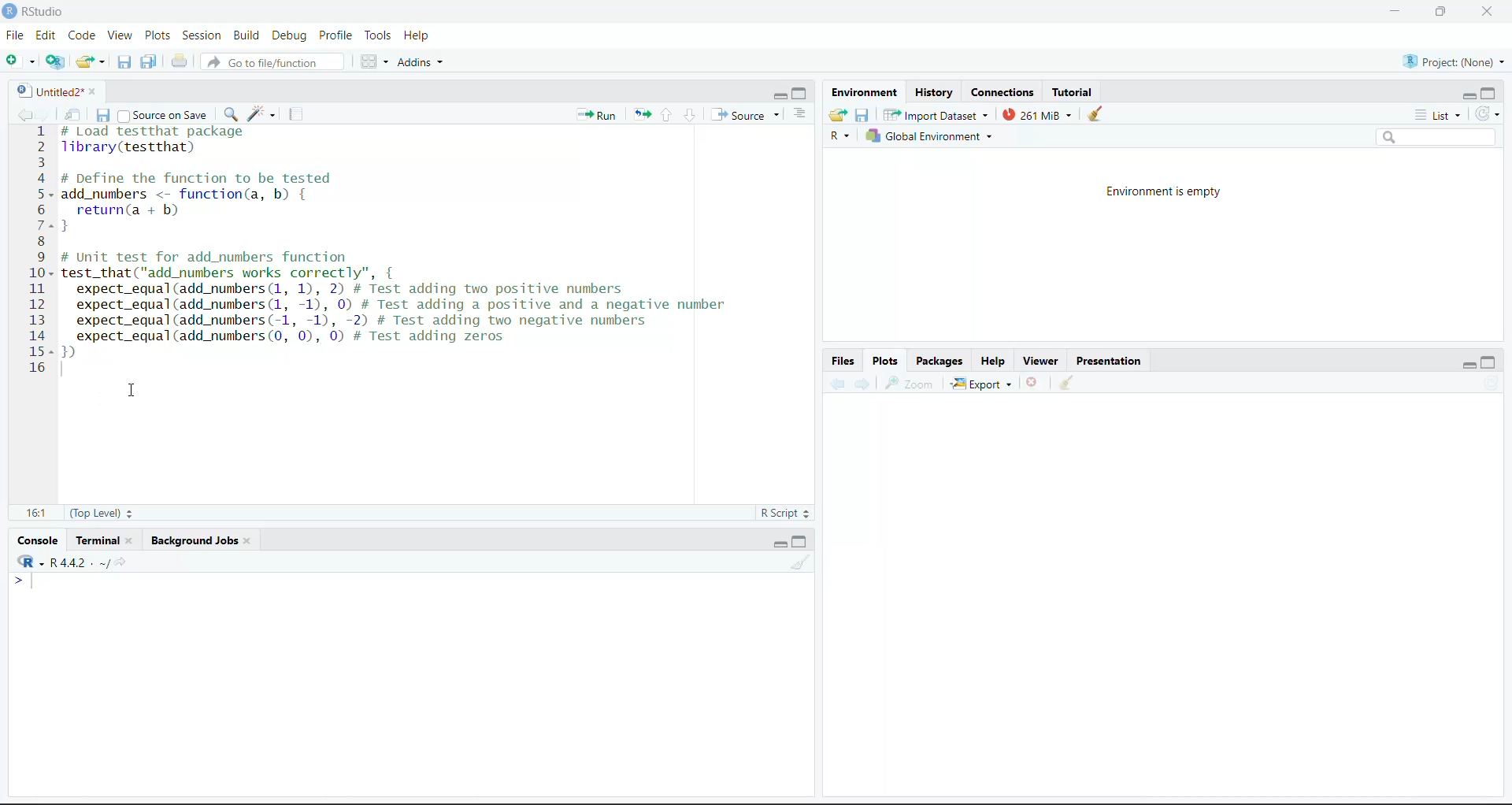 The image size is (1512, 805). I want to click on Clear workspace, so click(802, 563).